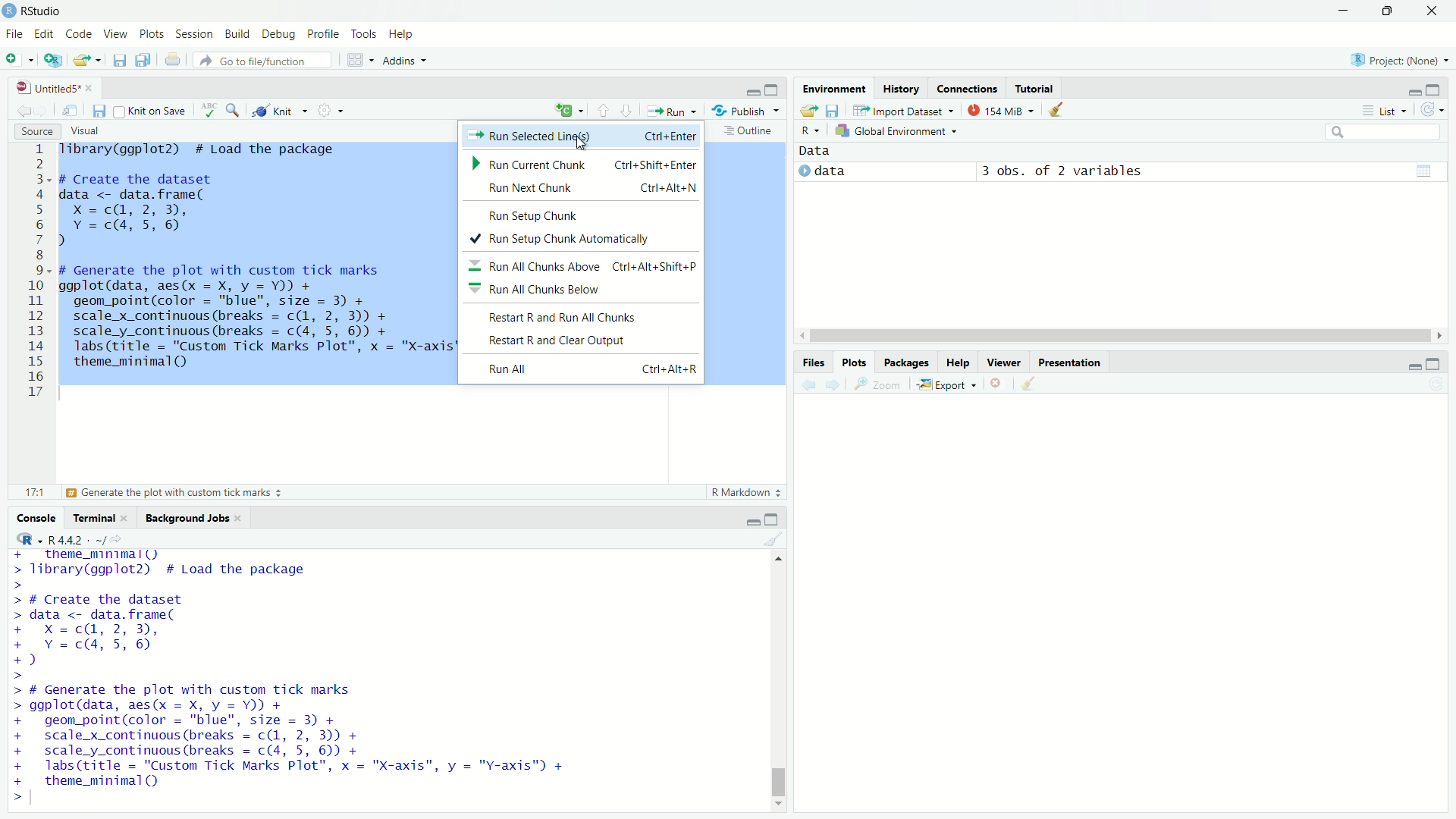 The image size is (1456, 819). What do you see at coordinates (243, 518) in the screenshot?
I see `close` at bounding box center [243, 518].